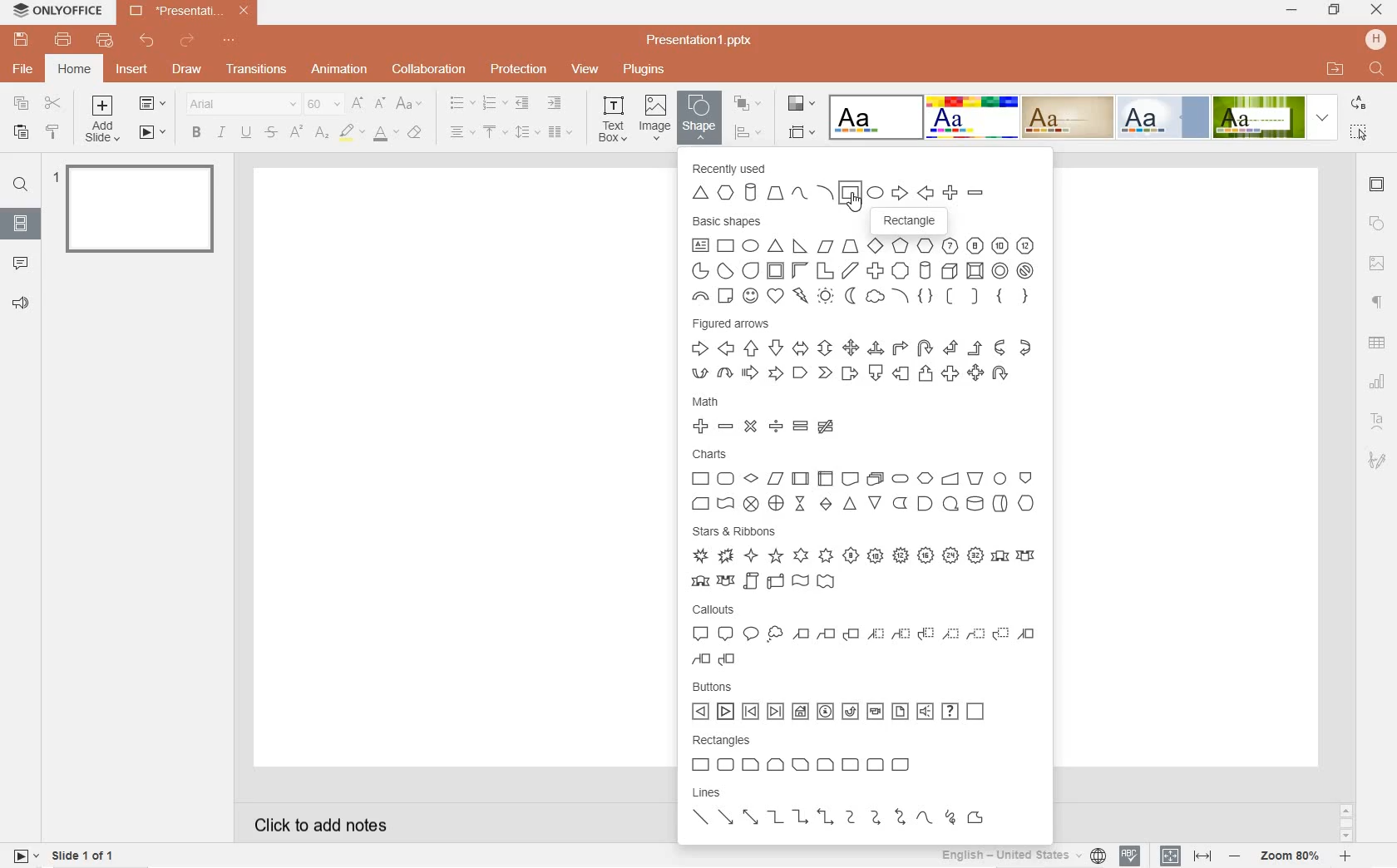  What do you see at coordinates (975, 555) in the screenshot?
I see `32-point star` at bounding box center [975, 555].